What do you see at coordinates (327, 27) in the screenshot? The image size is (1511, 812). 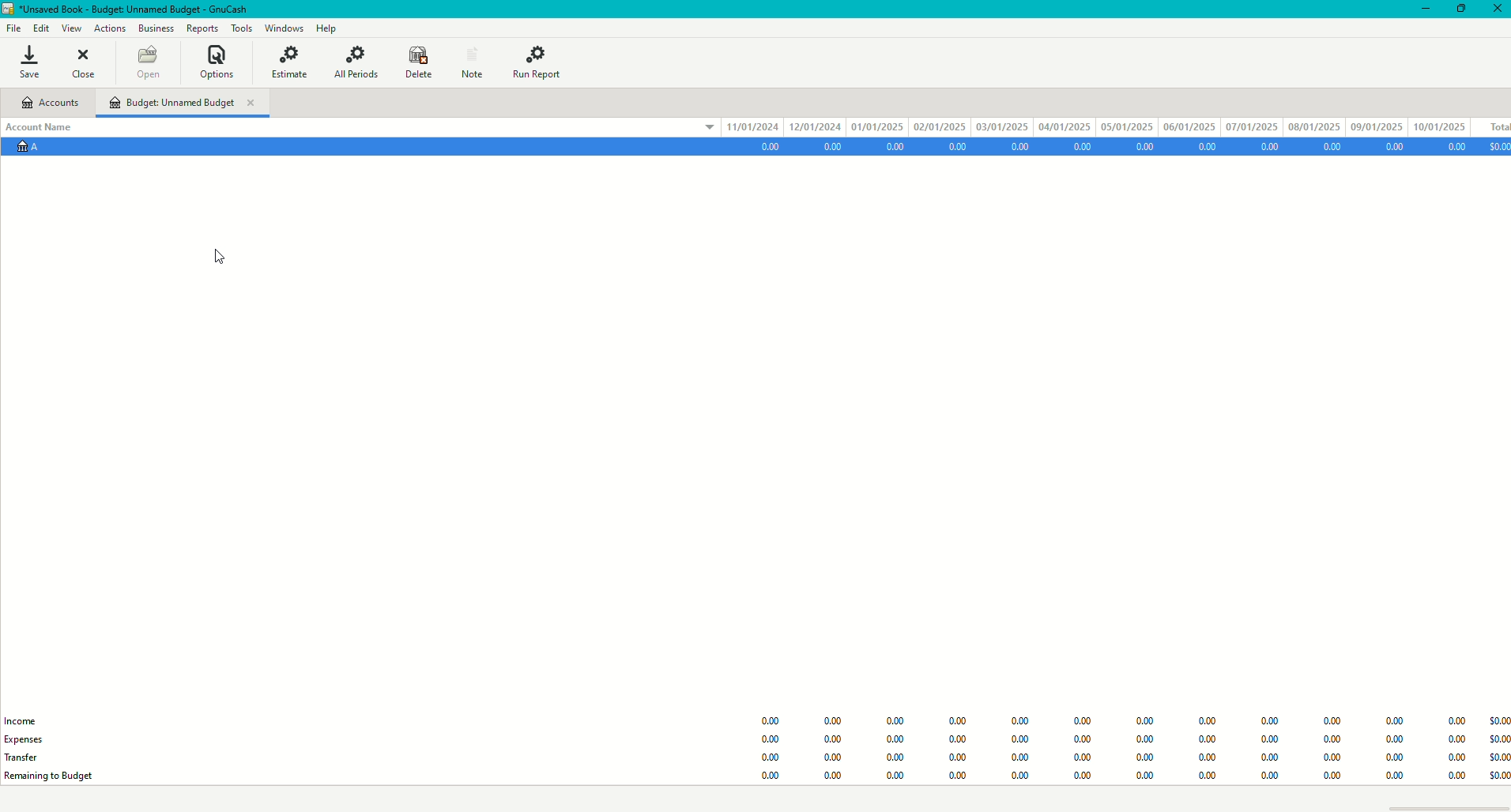 I see `Help` at bounding box center [327, 27].